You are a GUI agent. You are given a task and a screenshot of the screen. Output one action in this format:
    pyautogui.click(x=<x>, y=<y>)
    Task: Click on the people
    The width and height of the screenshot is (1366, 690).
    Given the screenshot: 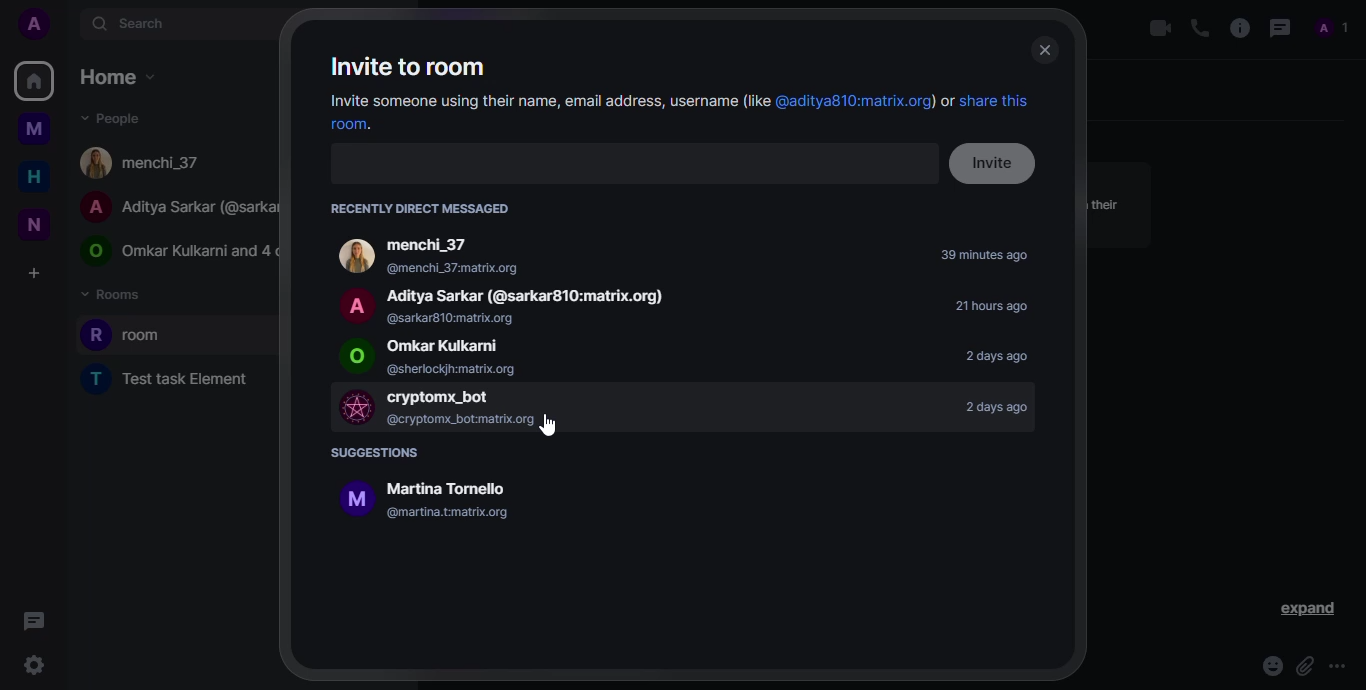 What is the action you would take?
    pyautogui.click(x=175, y=251)
    